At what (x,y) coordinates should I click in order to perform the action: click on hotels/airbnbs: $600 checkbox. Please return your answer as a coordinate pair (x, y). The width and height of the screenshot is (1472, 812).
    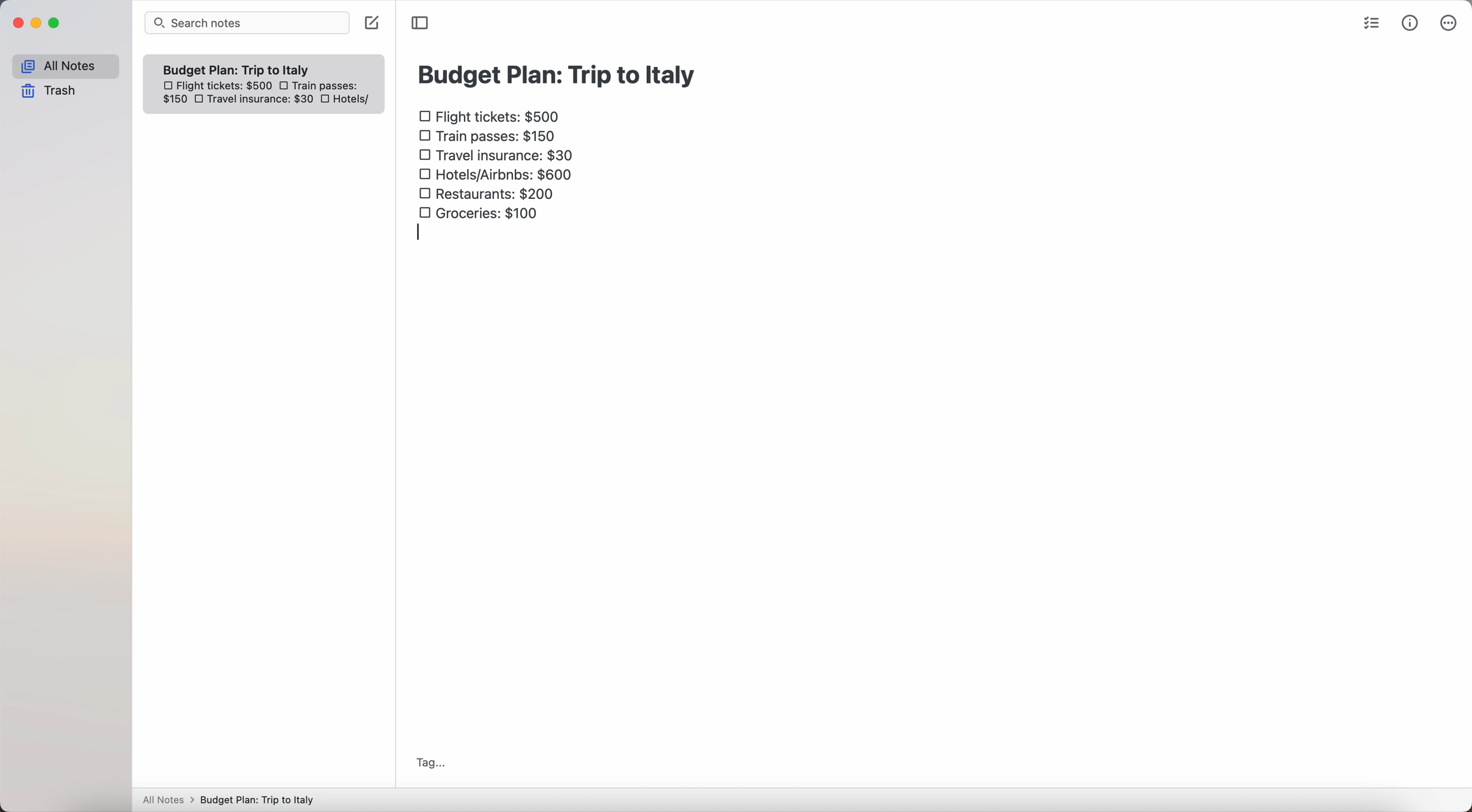
    Looking at the image, I should click on (501, 172).